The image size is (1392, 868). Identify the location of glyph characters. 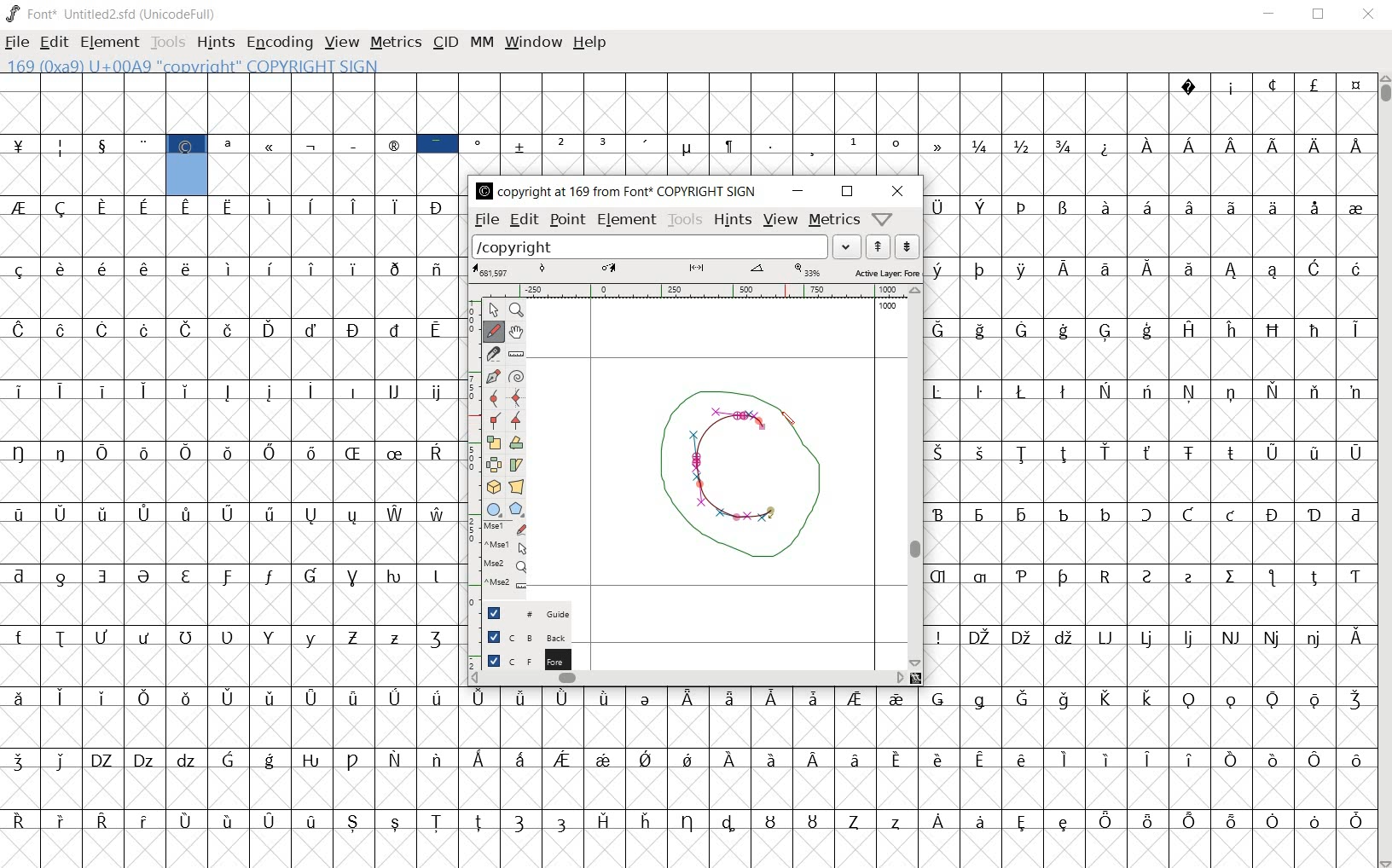
(894, 123).